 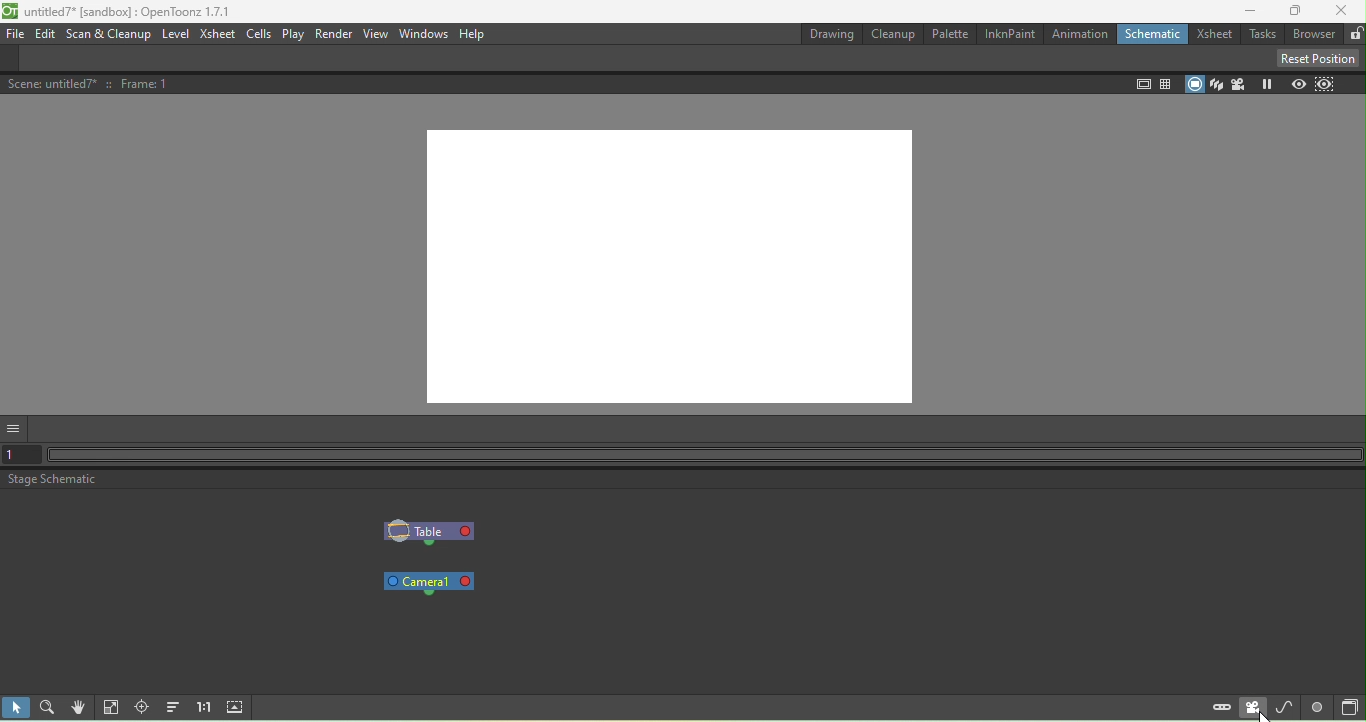 I want to click on Lock rooms tab, so click(x=1354, y=34).